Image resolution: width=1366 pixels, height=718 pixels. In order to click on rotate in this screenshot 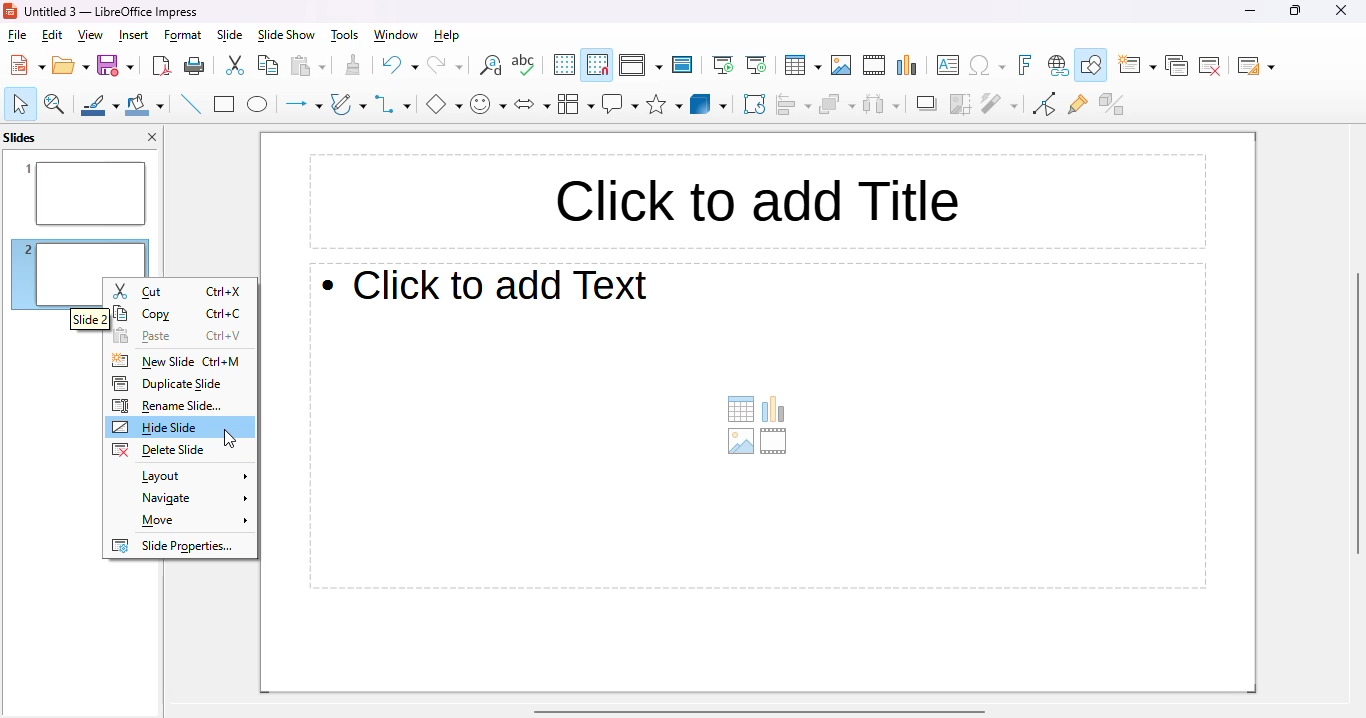, I will do `click(755, 103)`.